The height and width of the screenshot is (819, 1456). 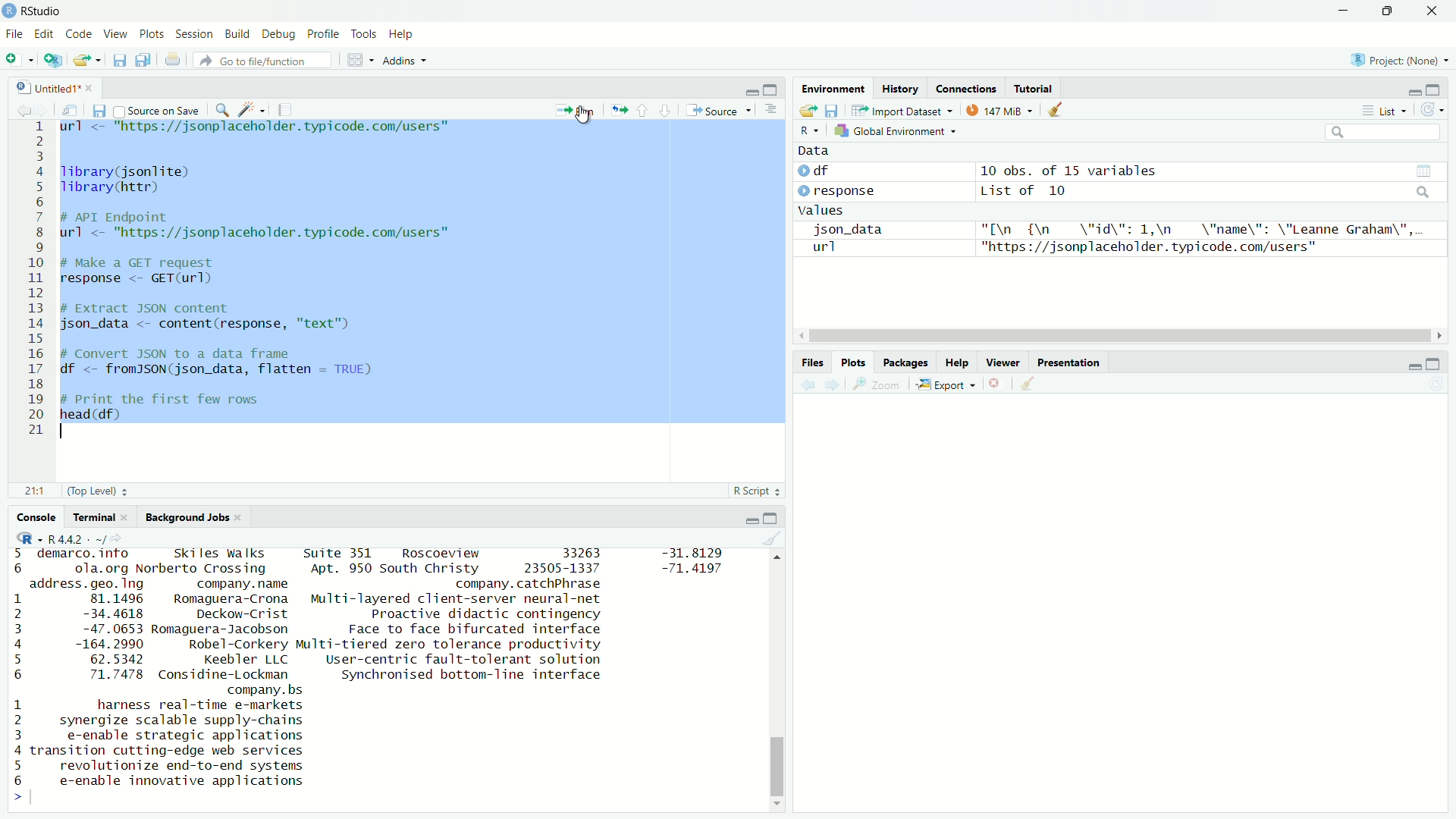 I want to click on # Print the first few rows
head (df), so click(x=162, y=411).